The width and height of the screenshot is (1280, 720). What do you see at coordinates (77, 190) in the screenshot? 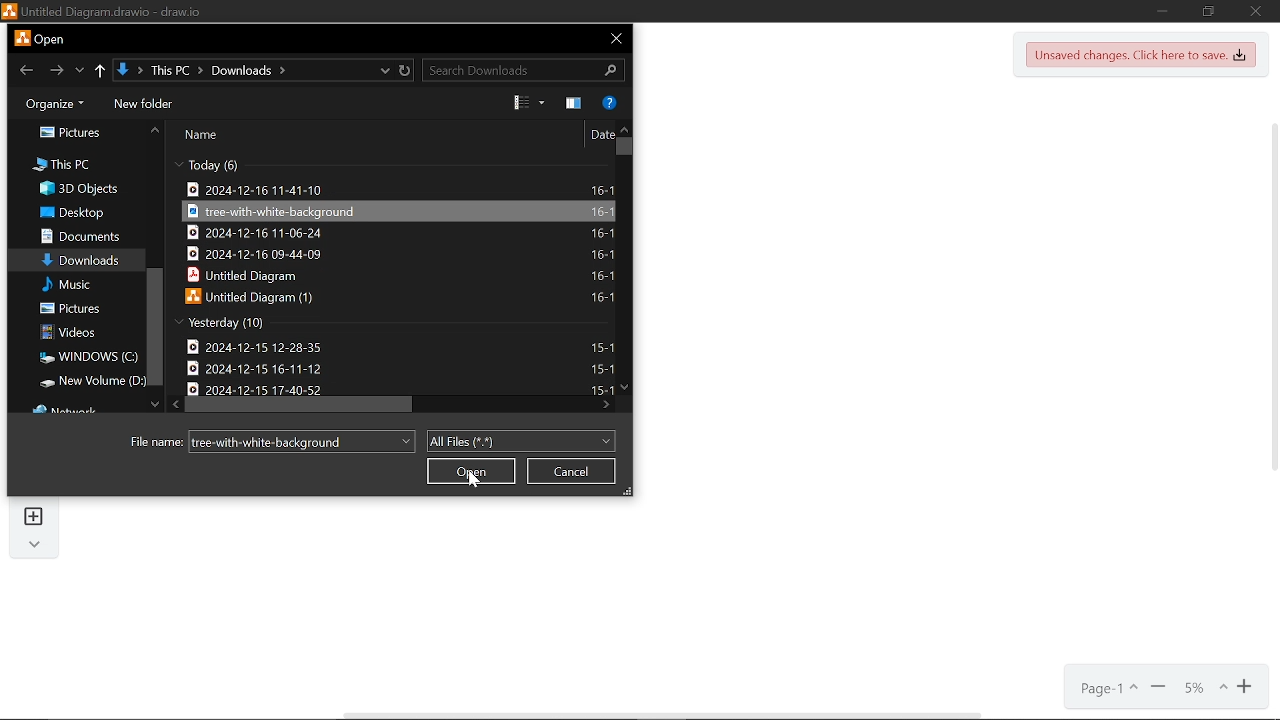
I see `3d objects` at bounding box center [77, 190].